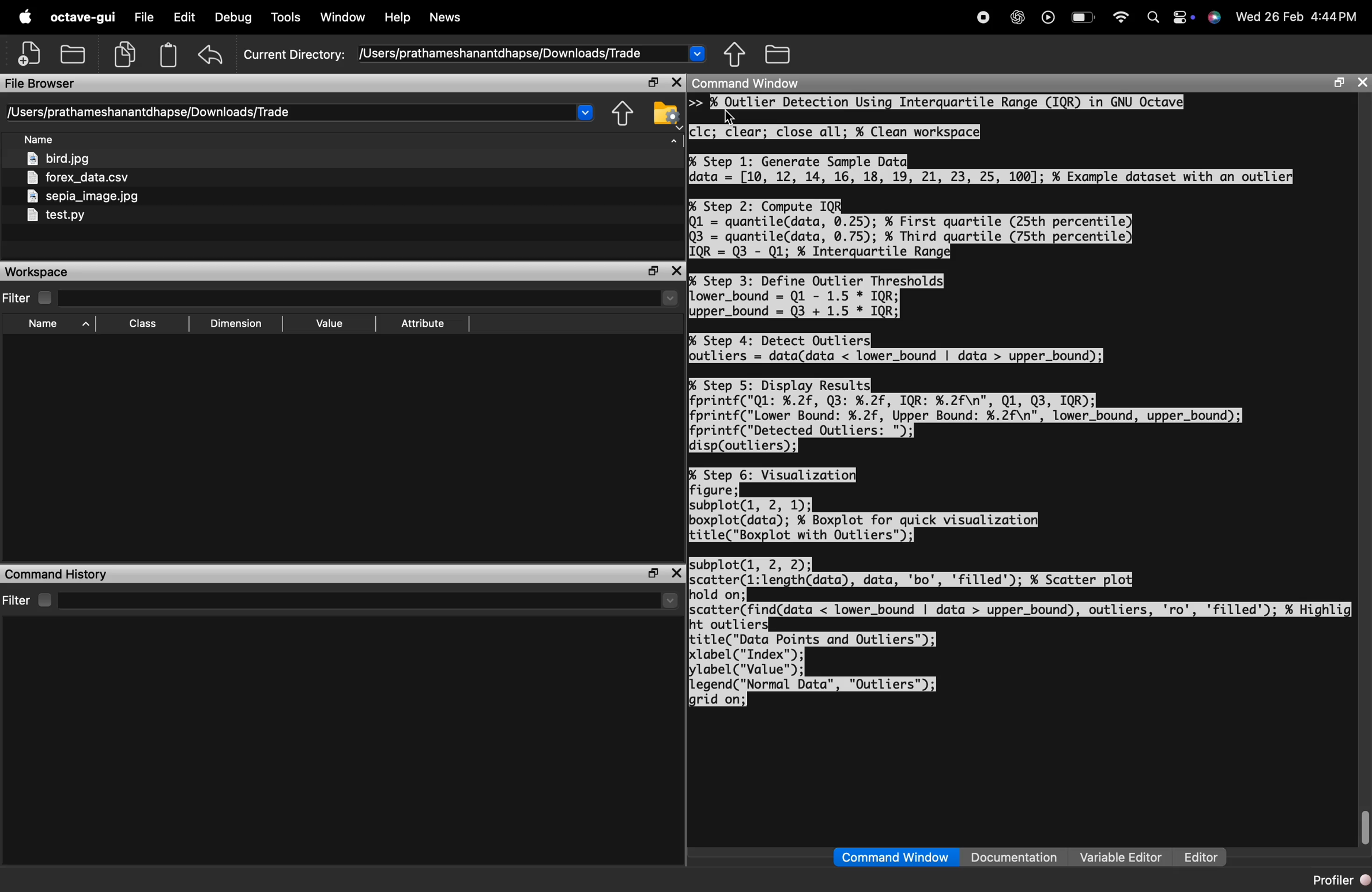 The image size is (1372, 892). I want to click on Debug, so click(233, 18).